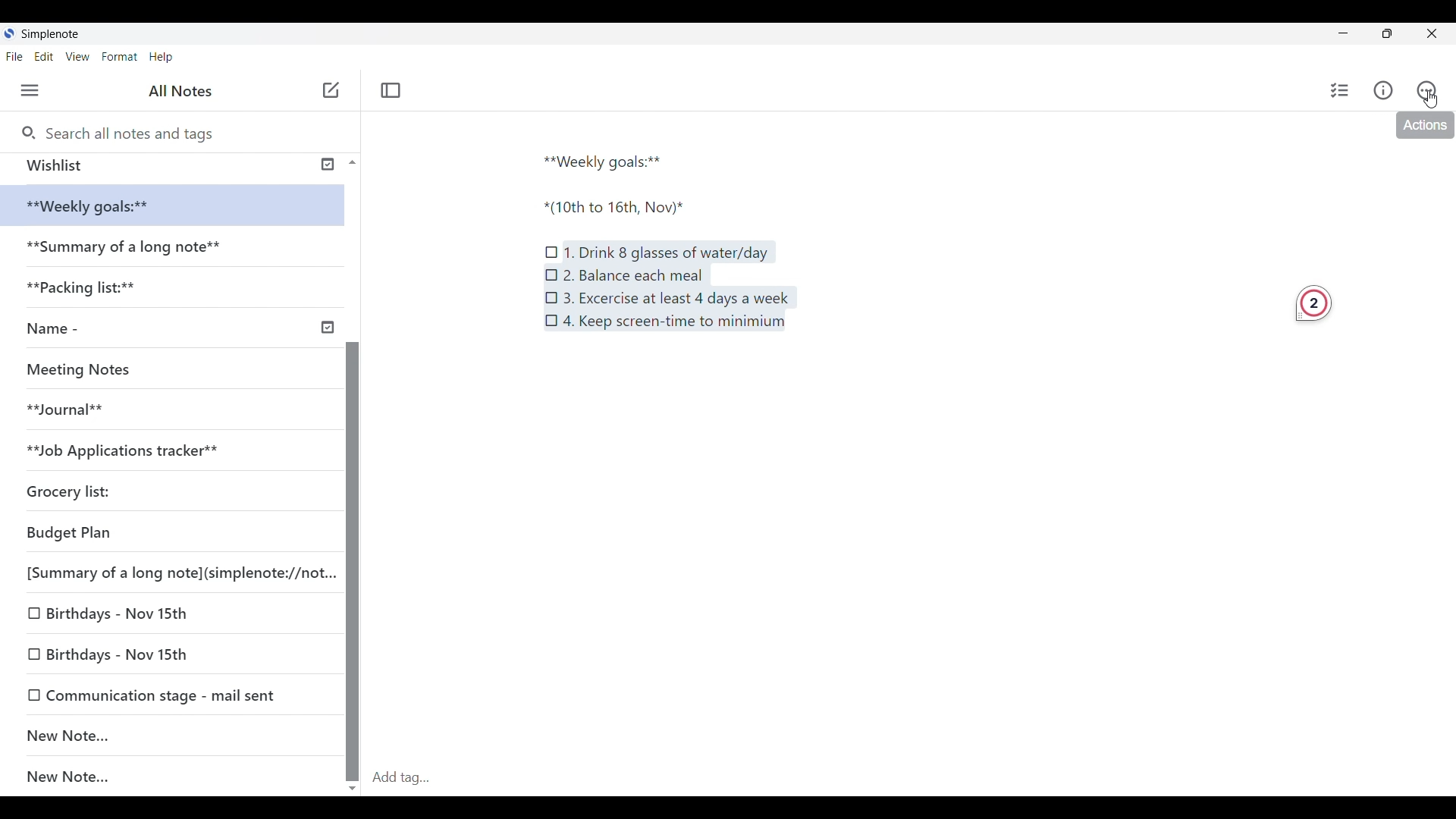 This screenshot has width=1456, height=819. Describe the element at coordinates (1313, 306) in the screenshot. I see `Grammarly assist bubble` at that location.